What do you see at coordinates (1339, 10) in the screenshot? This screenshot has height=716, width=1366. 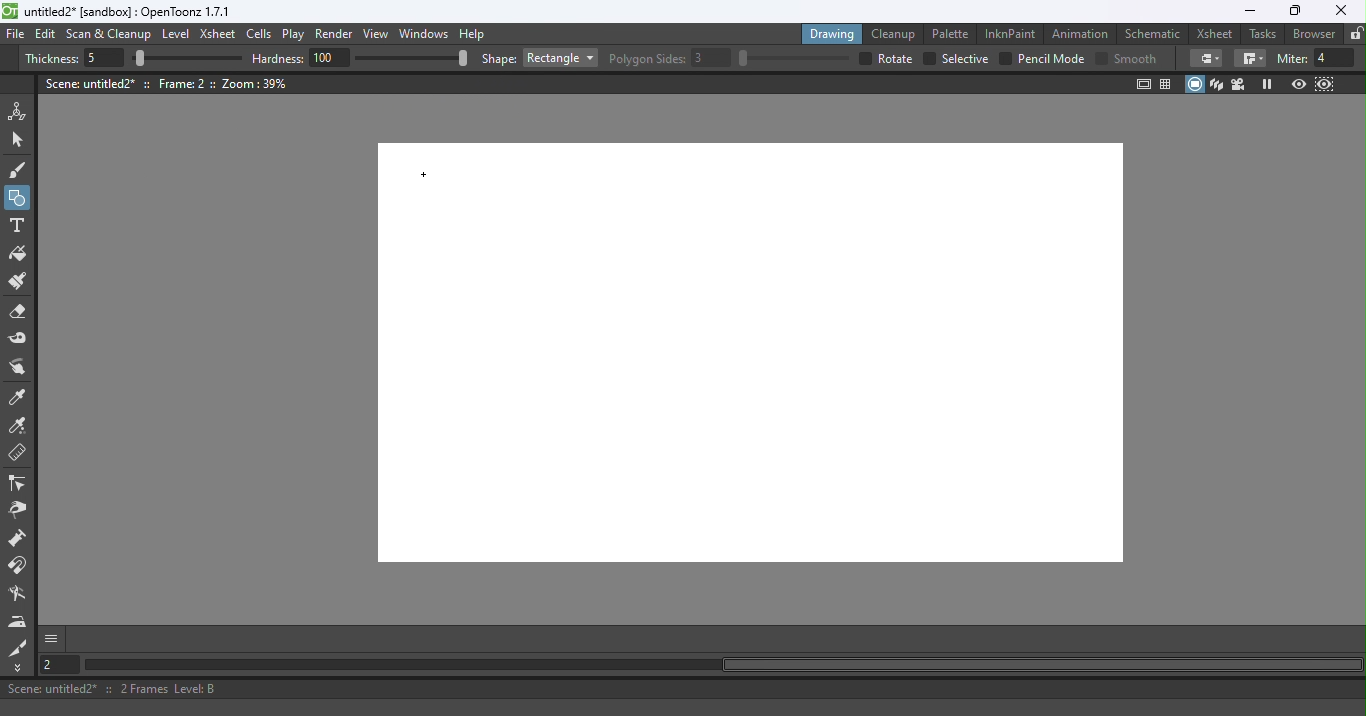 I see `Close` at bounding box center [1339, 10].